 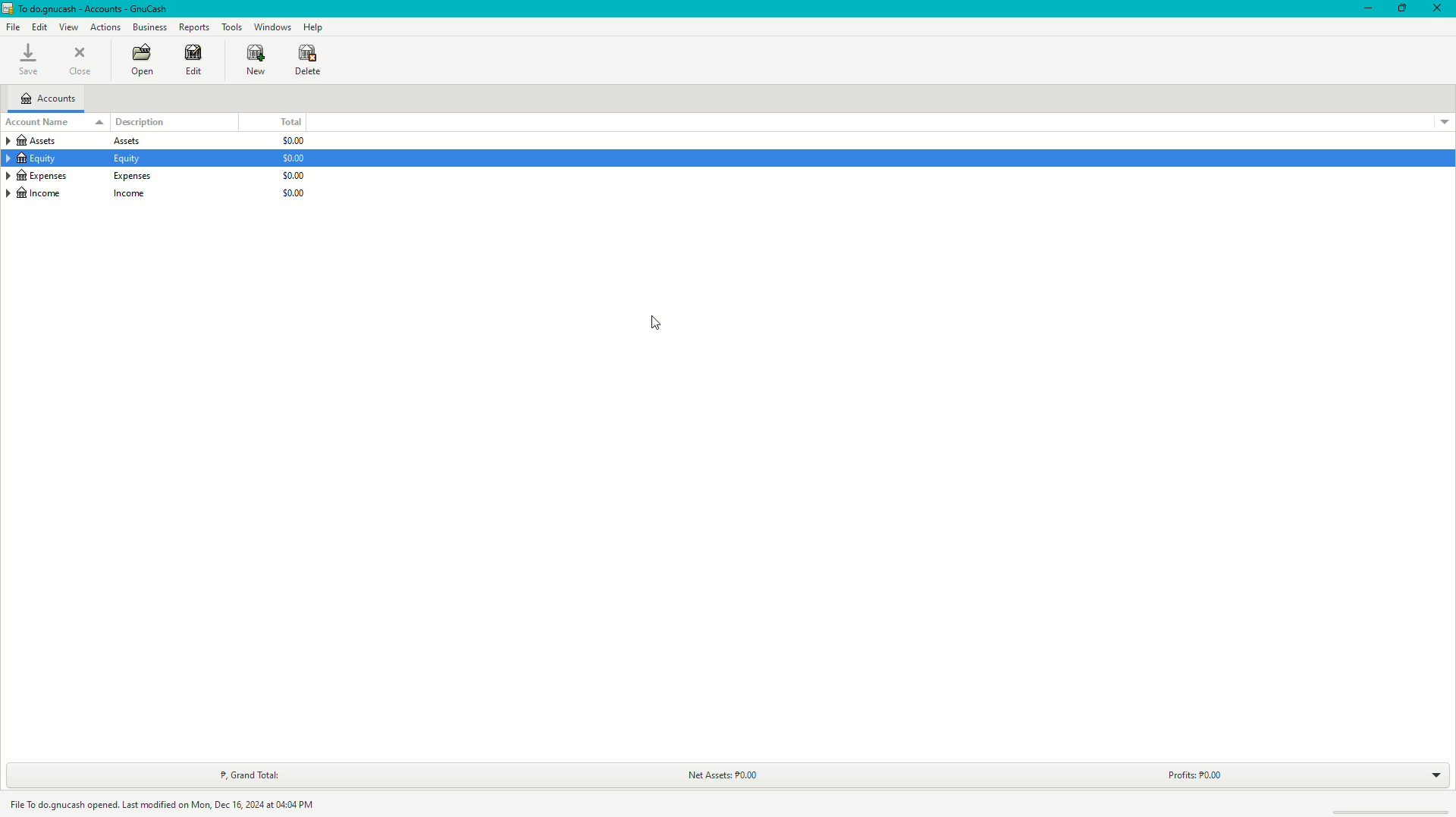 What do you see at coordinates (231, 27) in the screenshot?
I see `Tools` at bounding box center [231, 27].